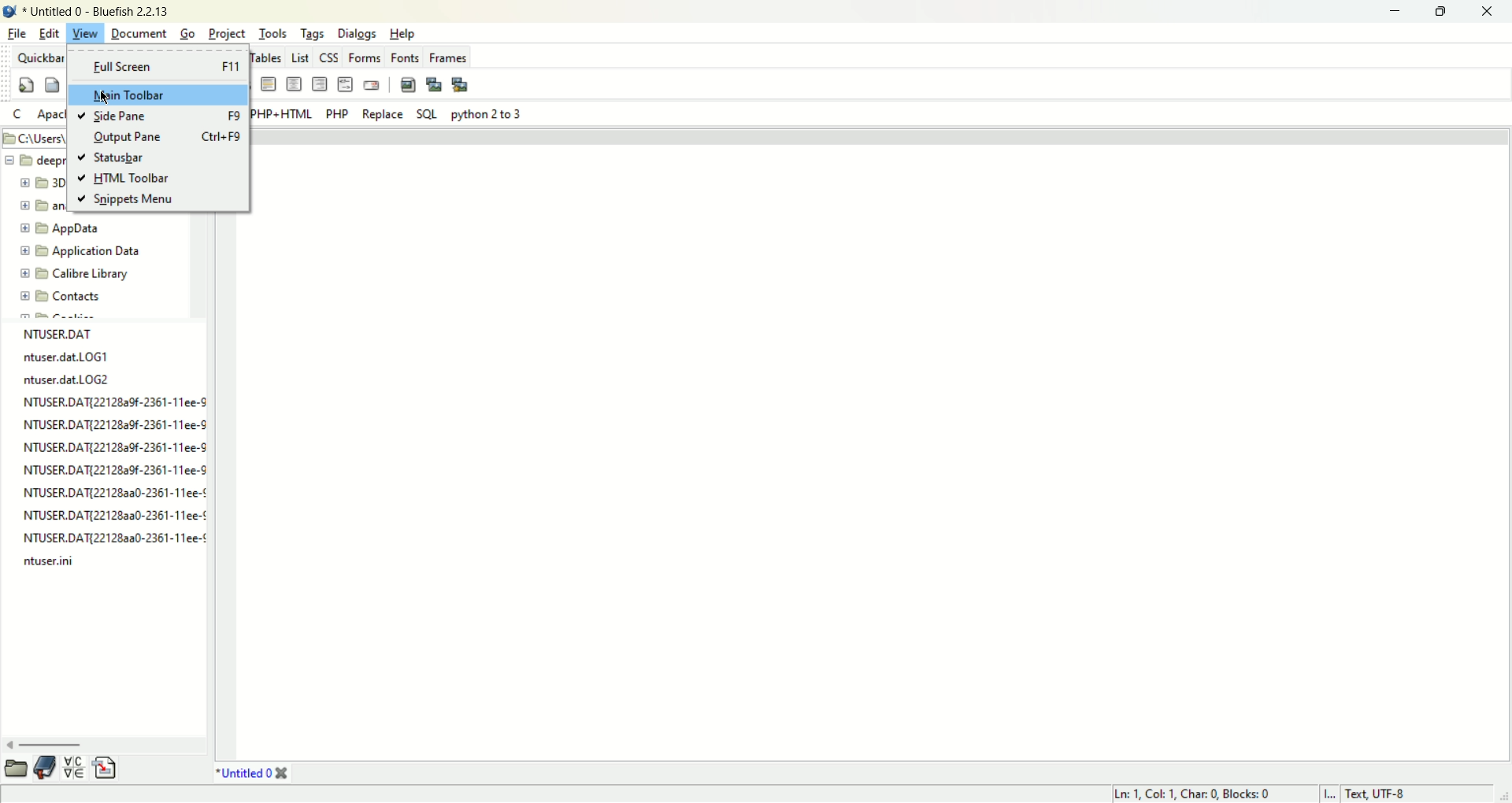  Describe the element at coordinates (297, 55) in the screenshot. I see `list` at that location.